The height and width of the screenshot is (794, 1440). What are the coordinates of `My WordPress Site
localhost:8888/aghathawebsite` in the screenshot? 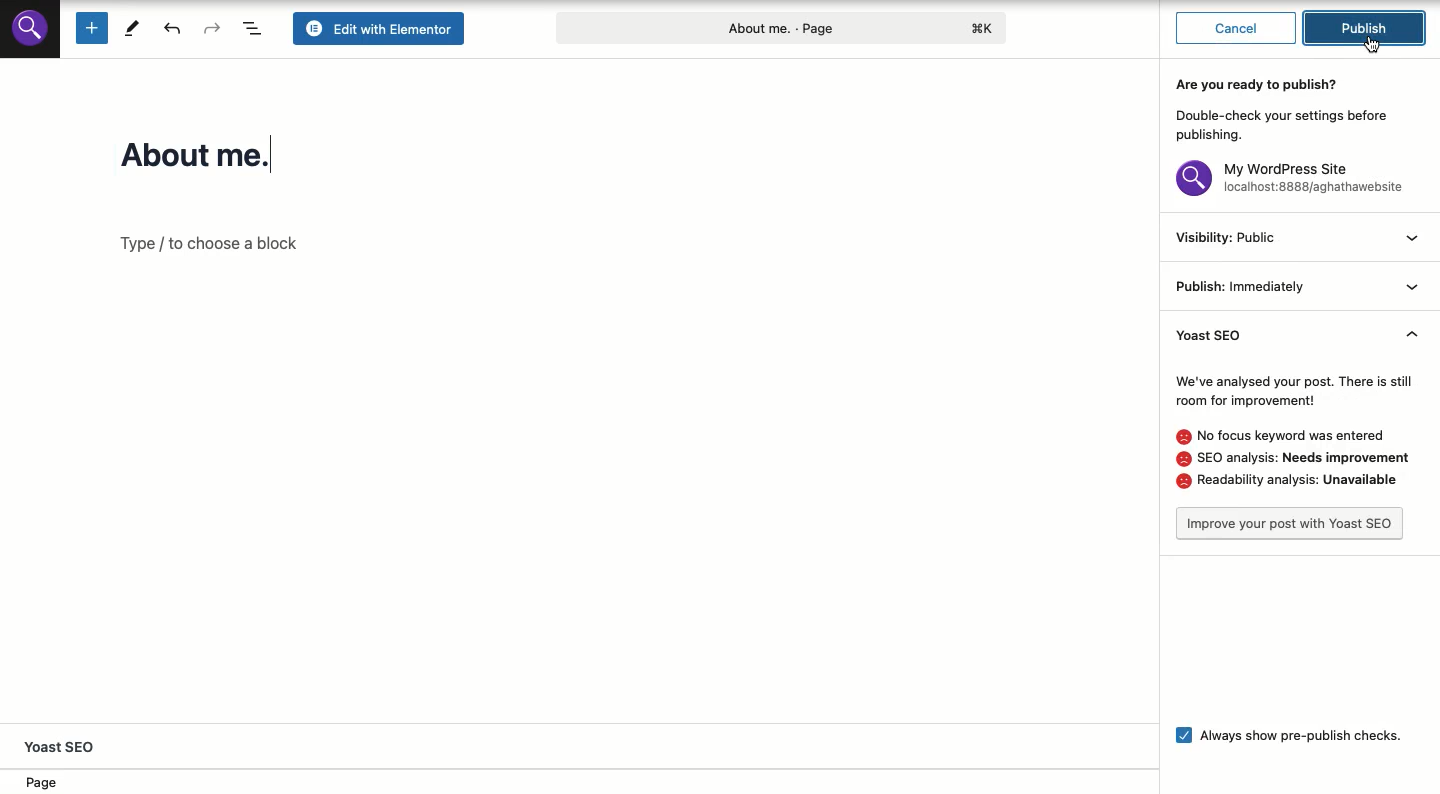 It's located at (1294, 181).